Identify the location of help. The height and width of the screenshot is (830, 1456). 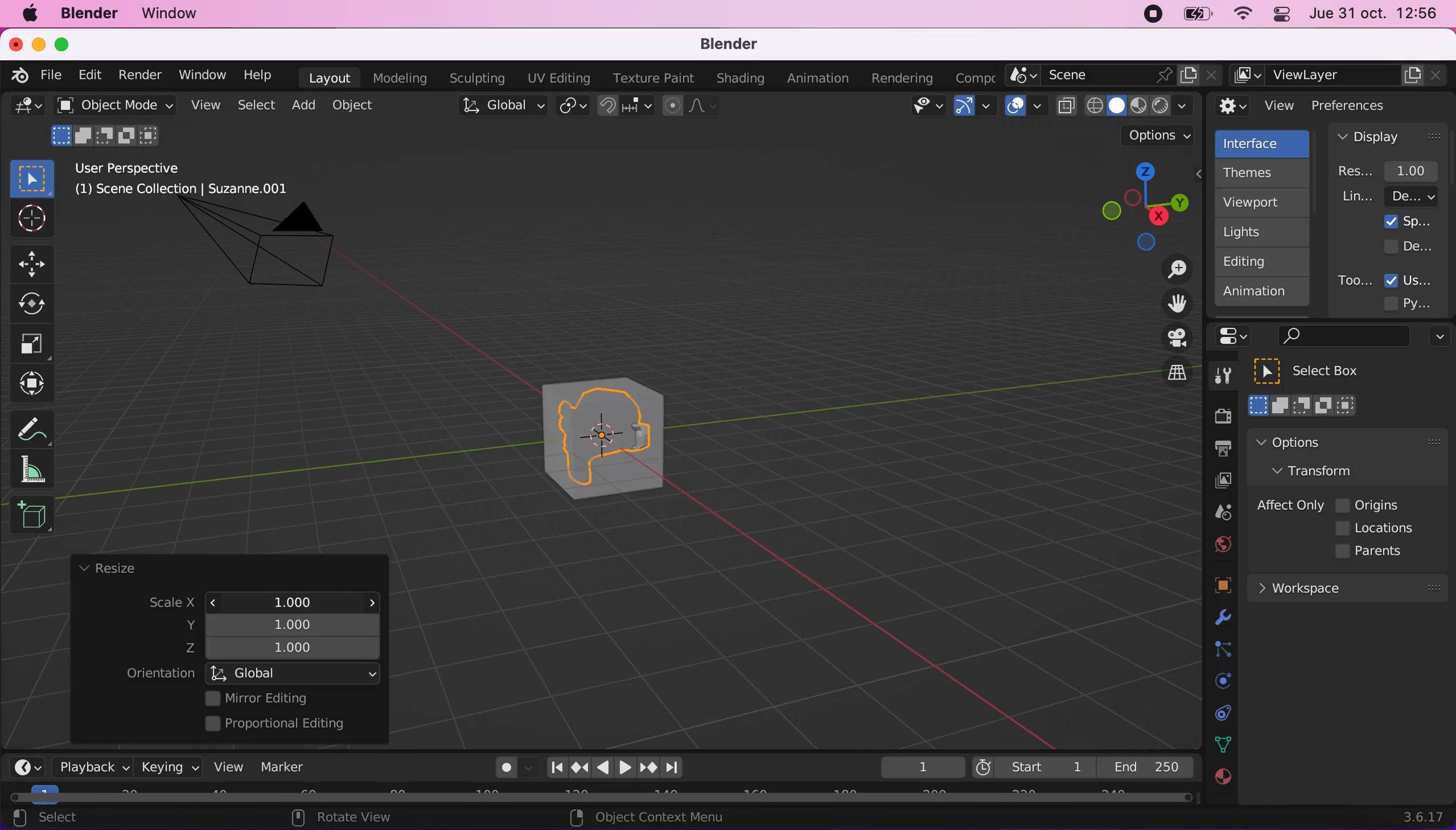
(259, 74).